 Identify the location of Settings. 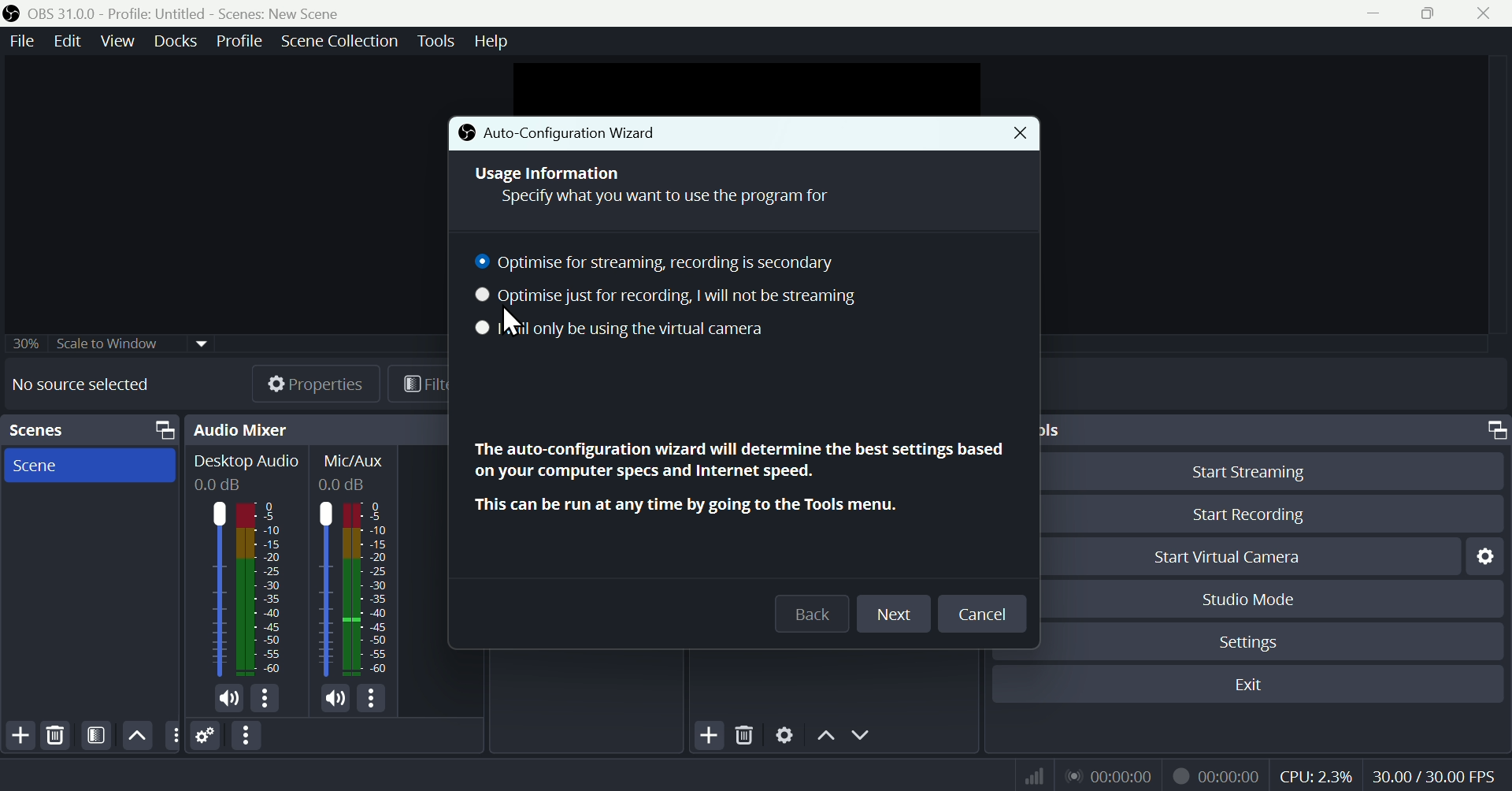
(1270, 640).